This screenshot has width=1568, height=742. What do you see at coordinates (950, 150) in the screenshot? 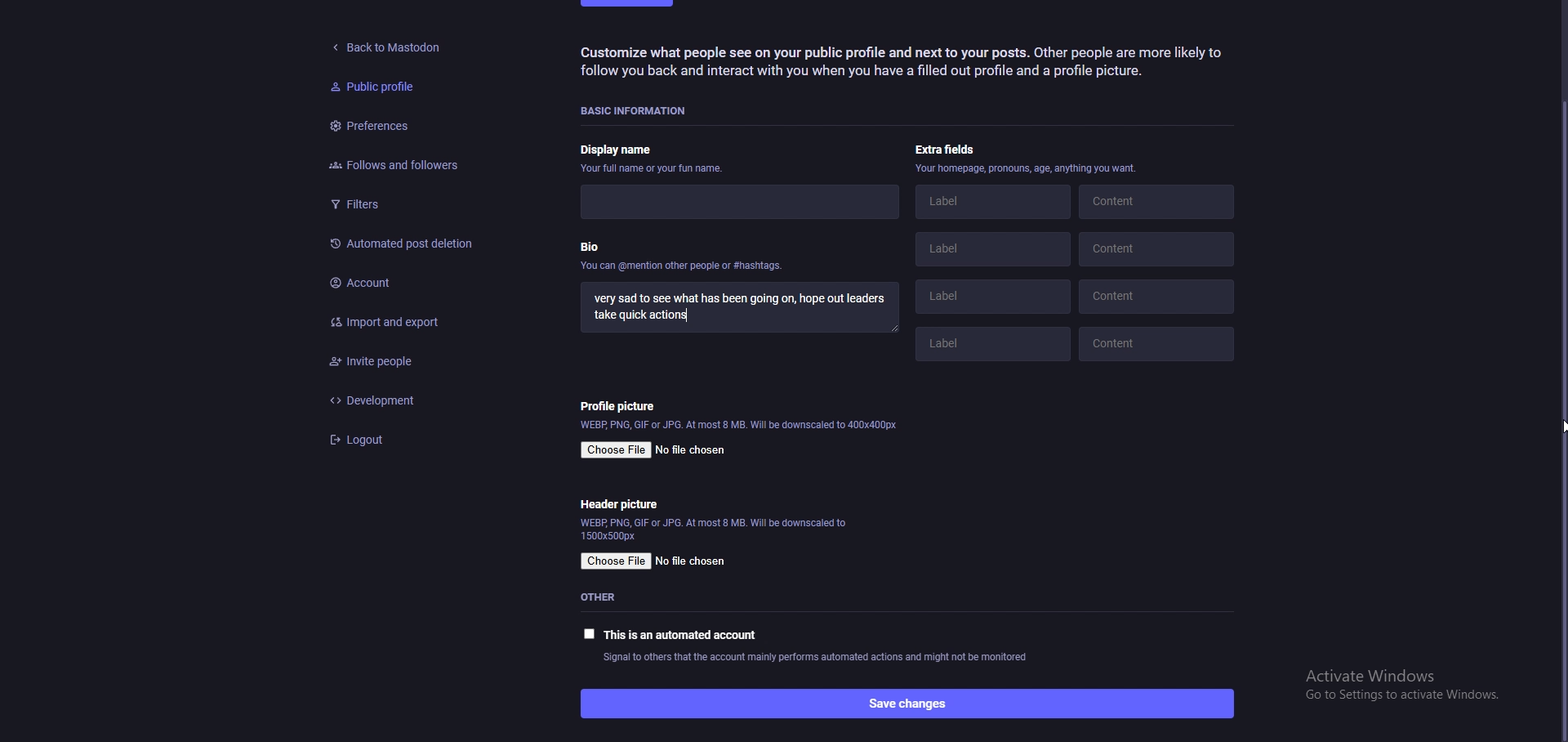
I see `extra fields` at bounding box center [950, 150].